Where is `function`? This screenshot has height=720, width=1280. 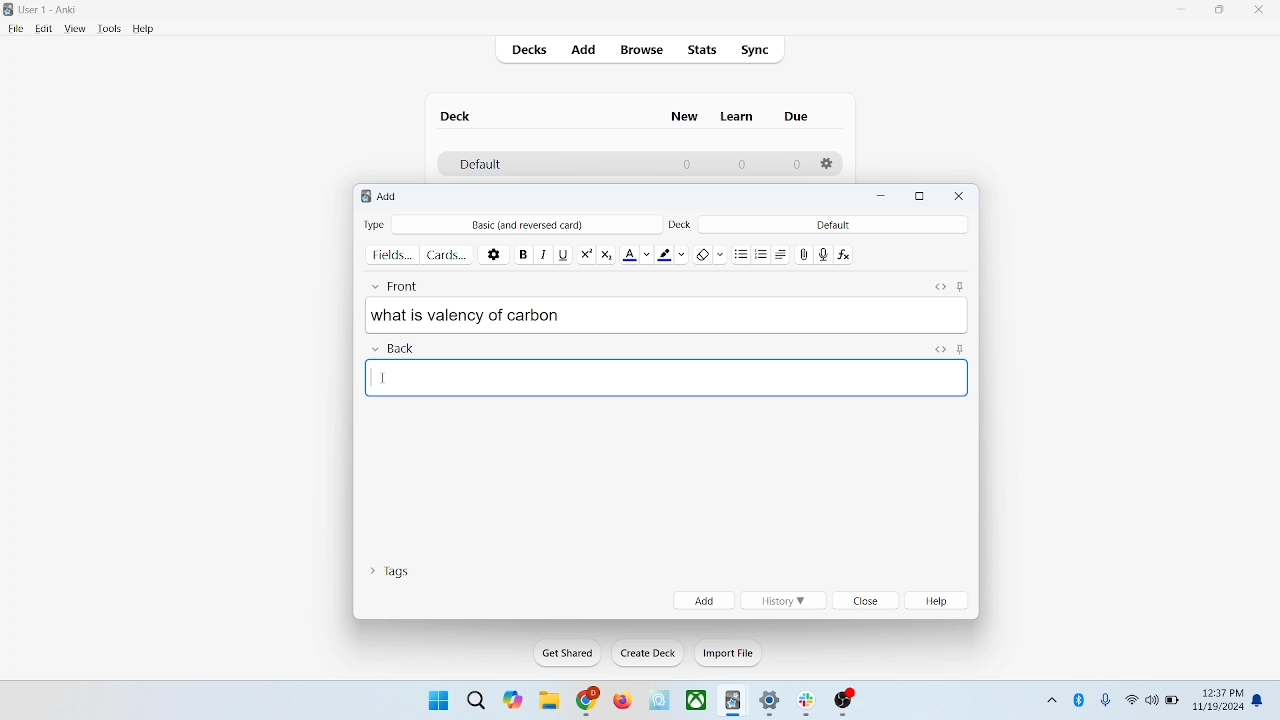
function is located at coordinates (846, 253).